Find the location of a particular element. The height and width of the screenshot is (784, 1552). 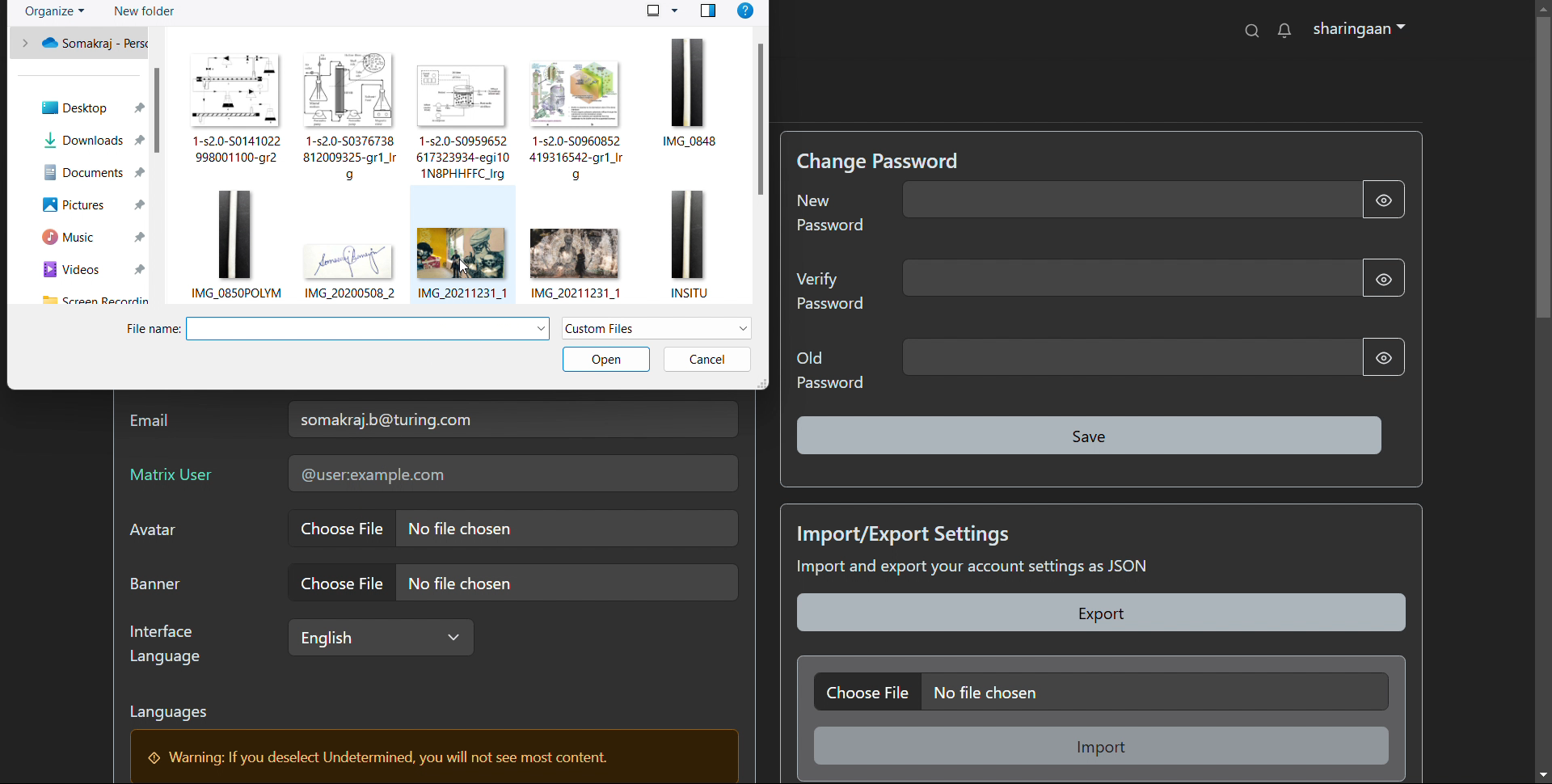

> Warning: If you deselect Undetermined, you will not see most content. is located at coordinates (387, 758).